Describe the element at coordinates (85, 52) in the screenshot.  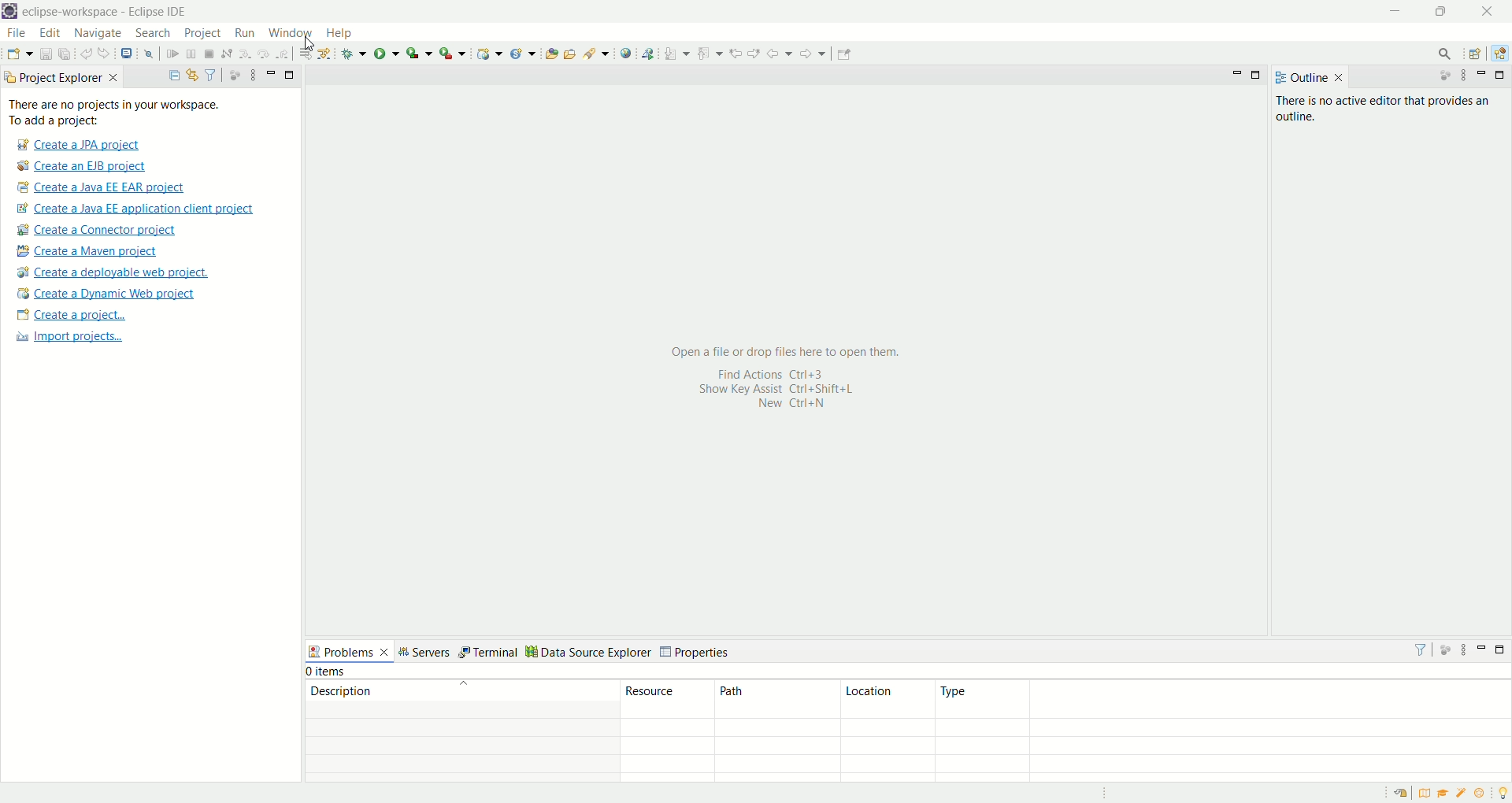
I see `undo` at that location.